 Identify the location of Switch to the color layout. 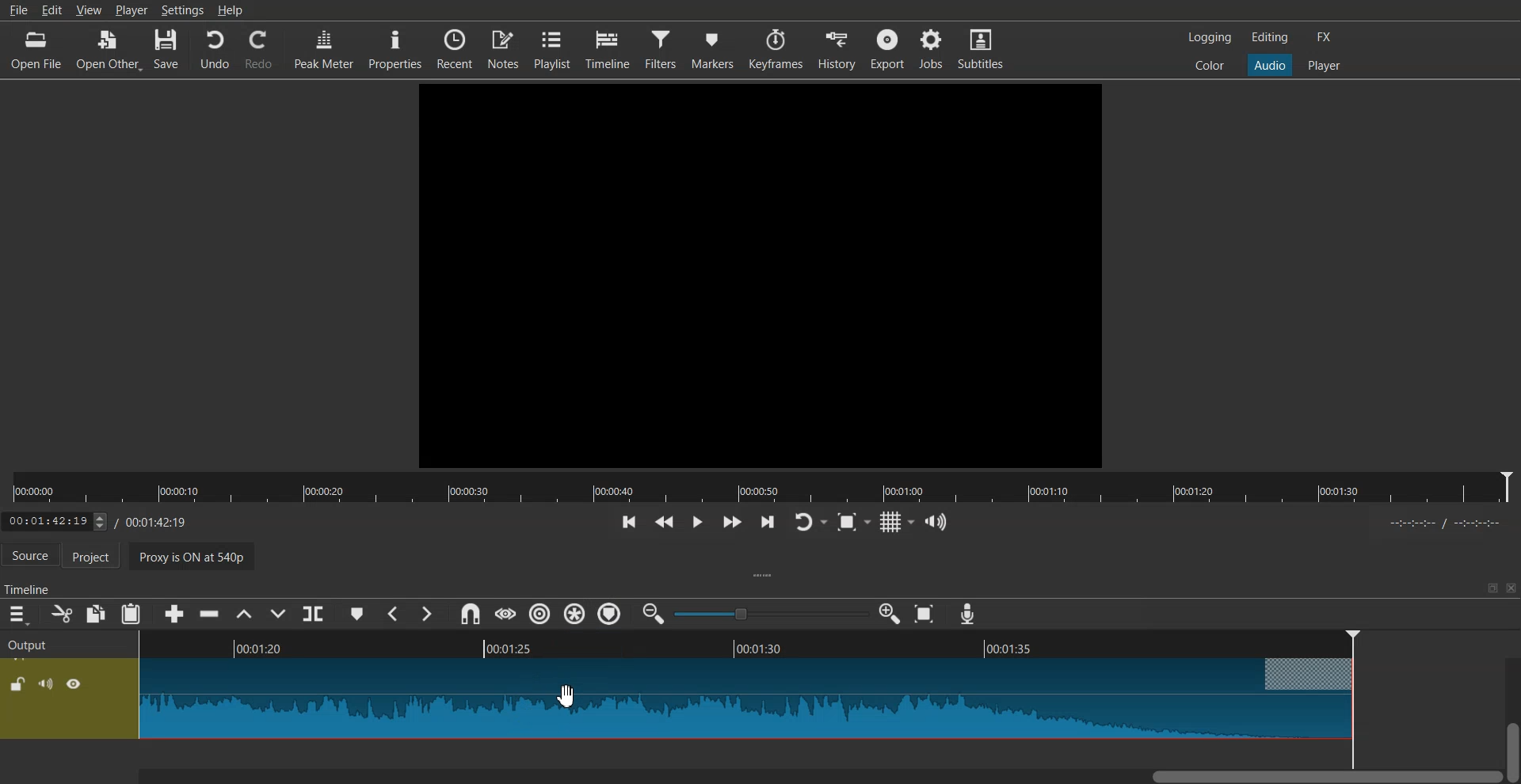
(1211, 66).